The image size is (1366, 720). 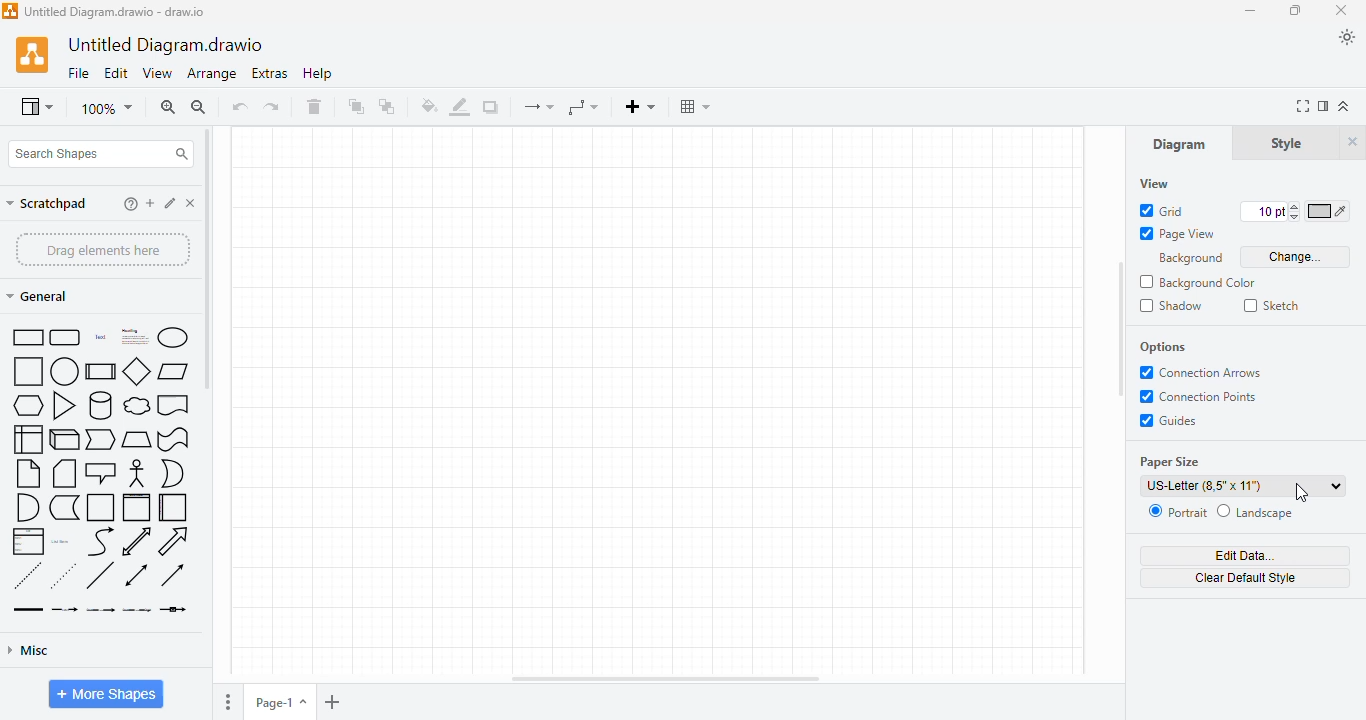 What do you see at coordinates (102, 249) in the screenshot?
I see `drag elements here` at bounding box center [102, 249].